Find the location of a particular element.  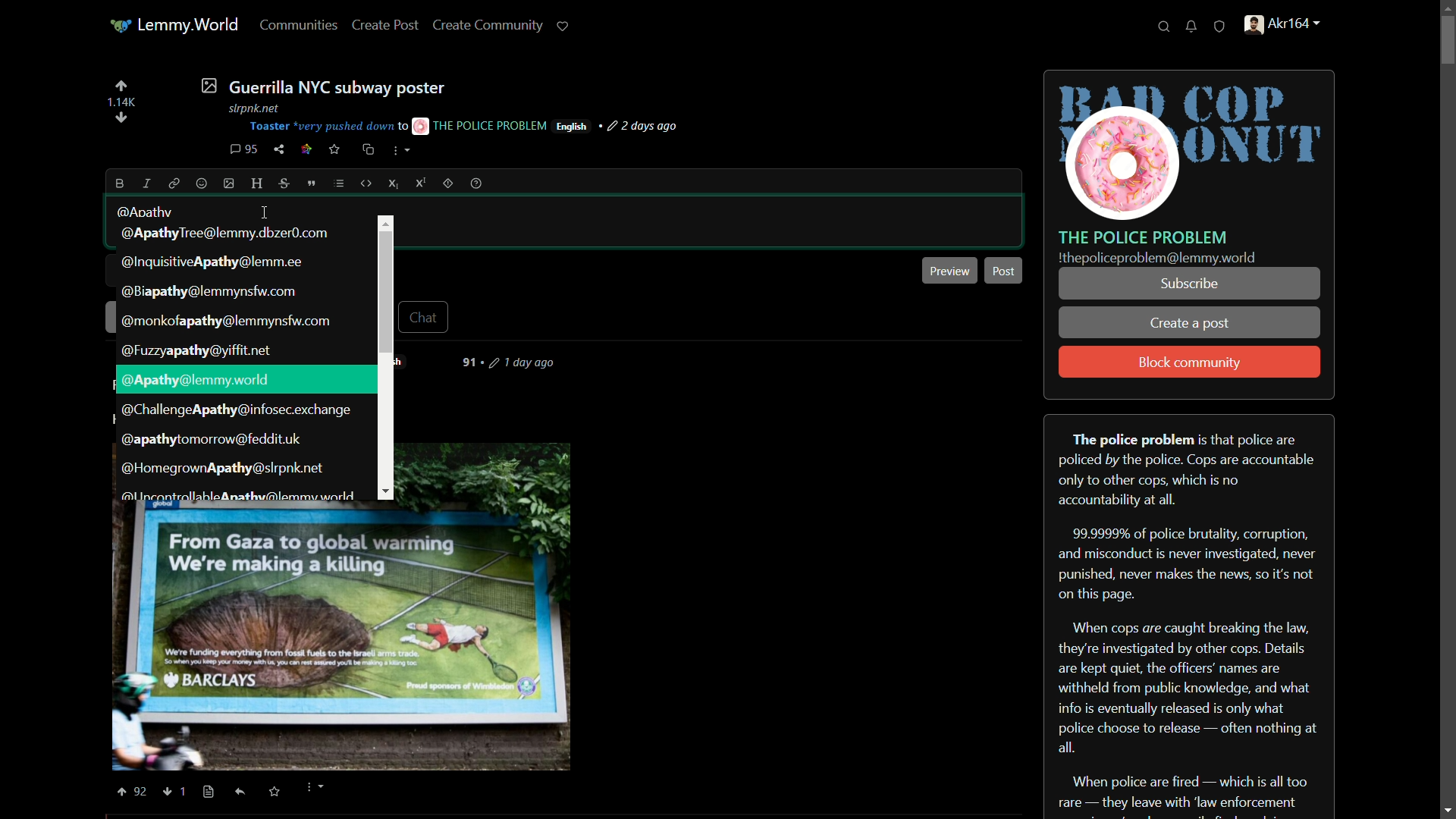

preview  is located at coordinates (950, 270).